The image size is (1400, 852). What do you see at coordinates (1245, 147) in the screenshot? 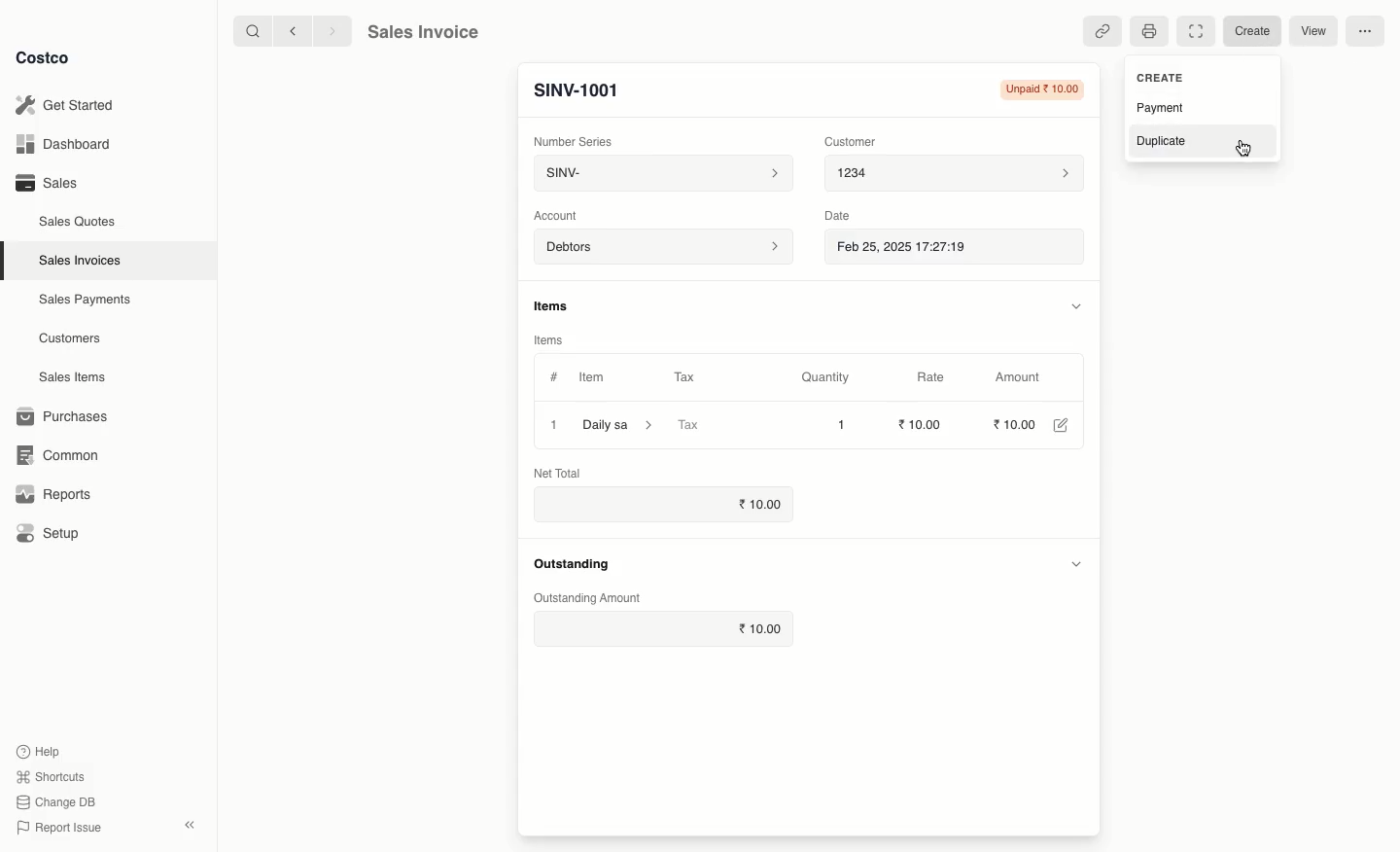
I see `cursor` at bounding box center [1245, 147].